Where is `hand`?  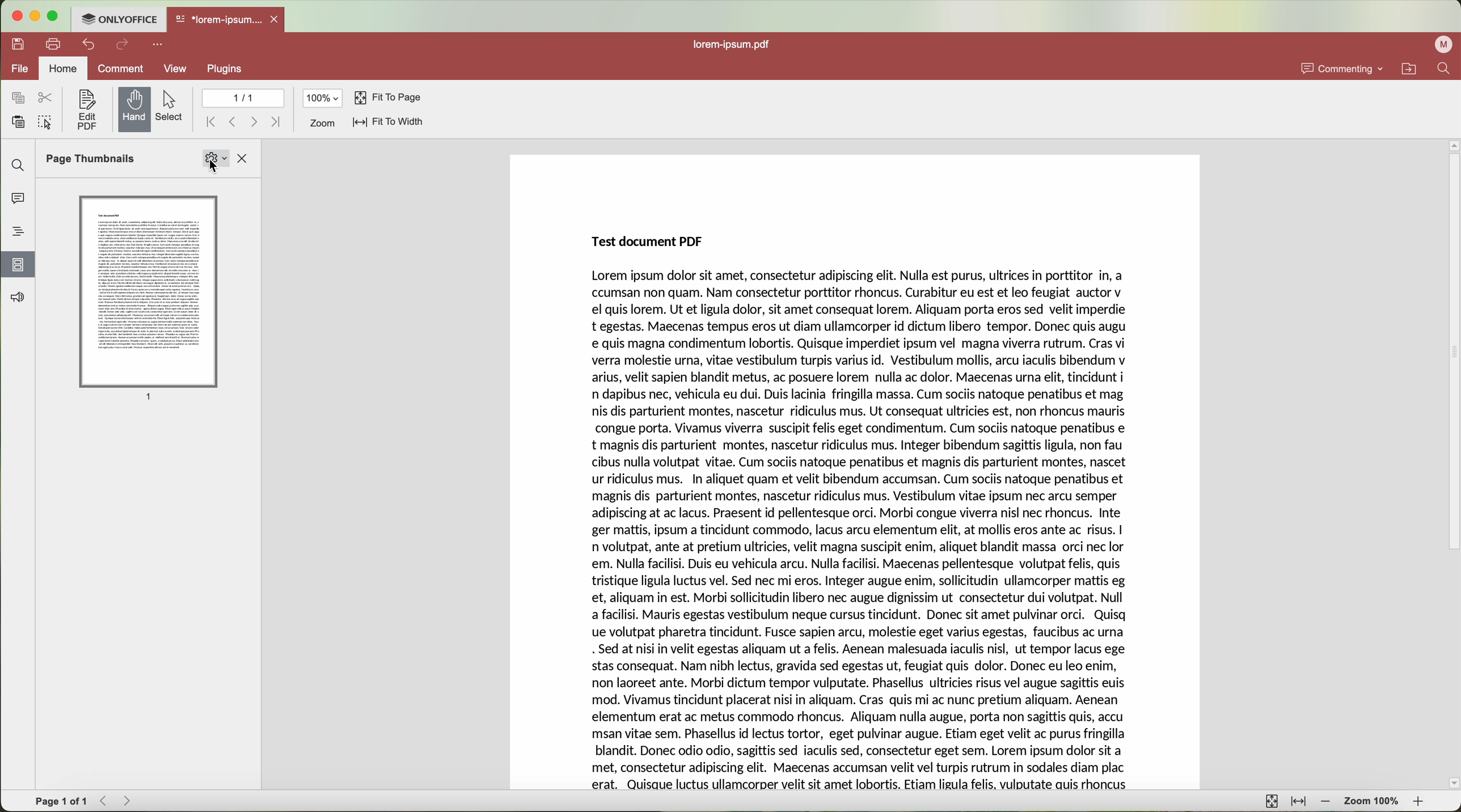
hand is located at coordinates (134, 109).